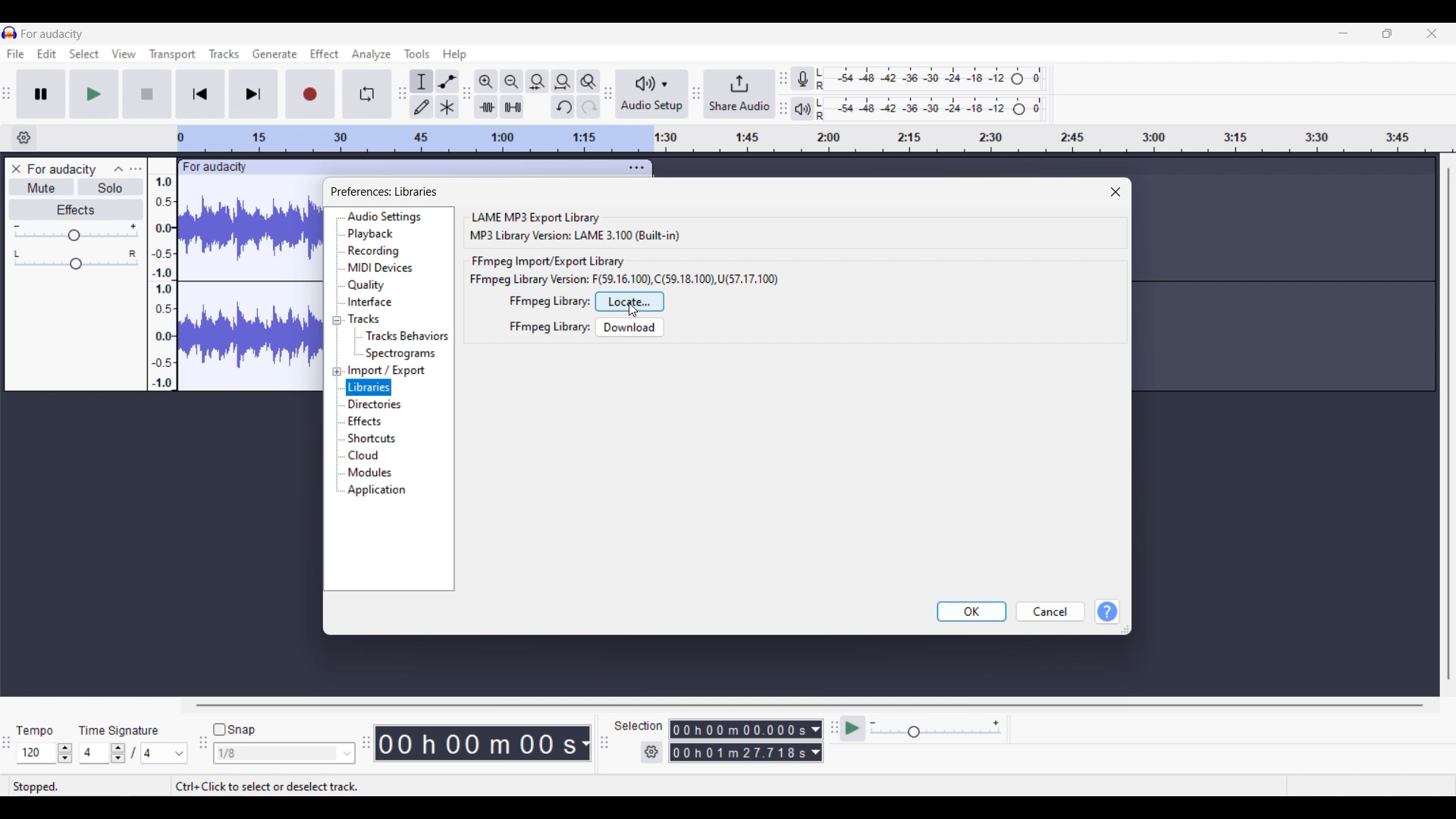 This screenshot has width=1456, height=819. I want to click on click to move, so click(438, 165).